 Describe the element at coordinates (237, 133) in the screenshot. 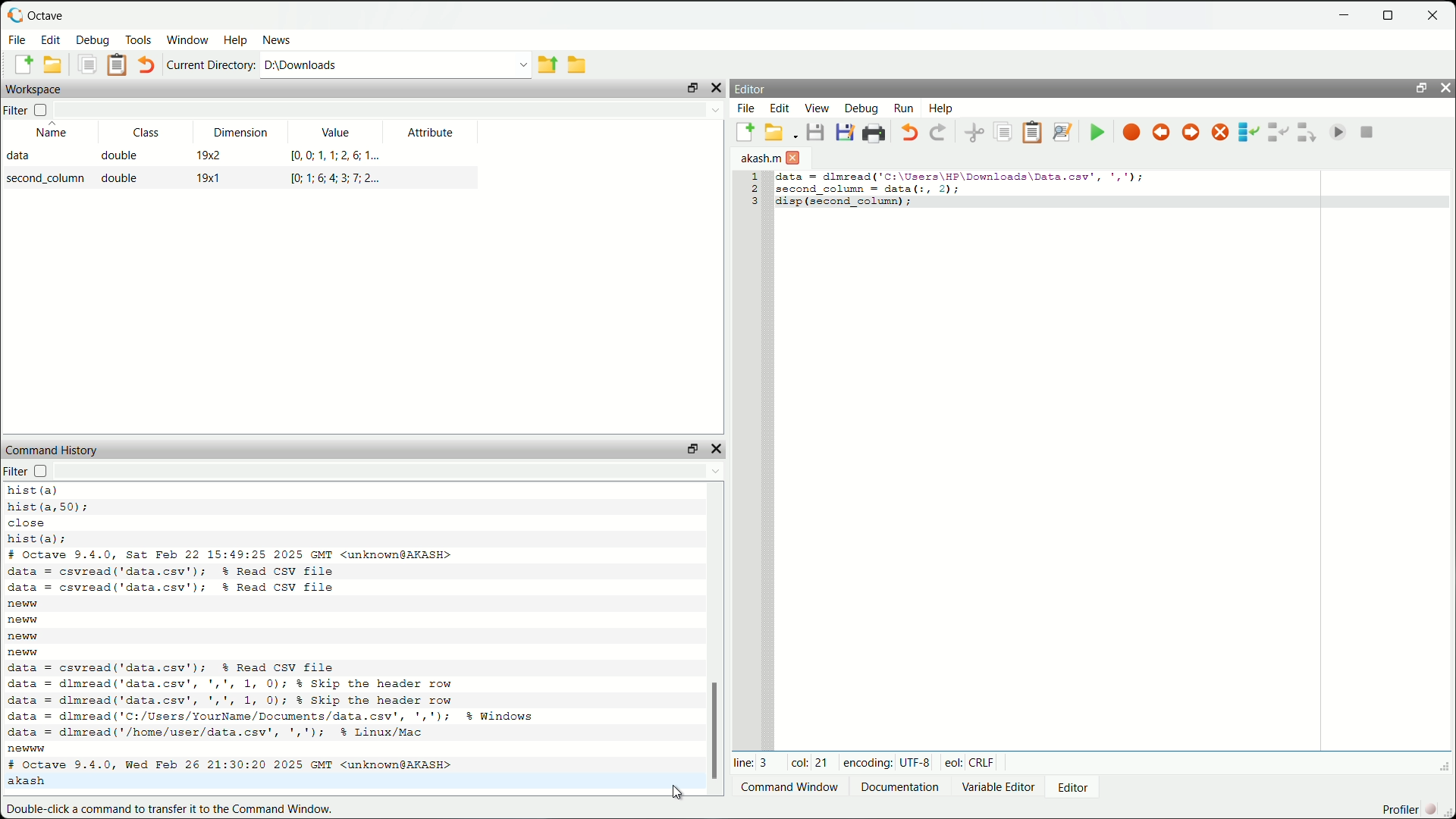

I see `dimension` at that location.